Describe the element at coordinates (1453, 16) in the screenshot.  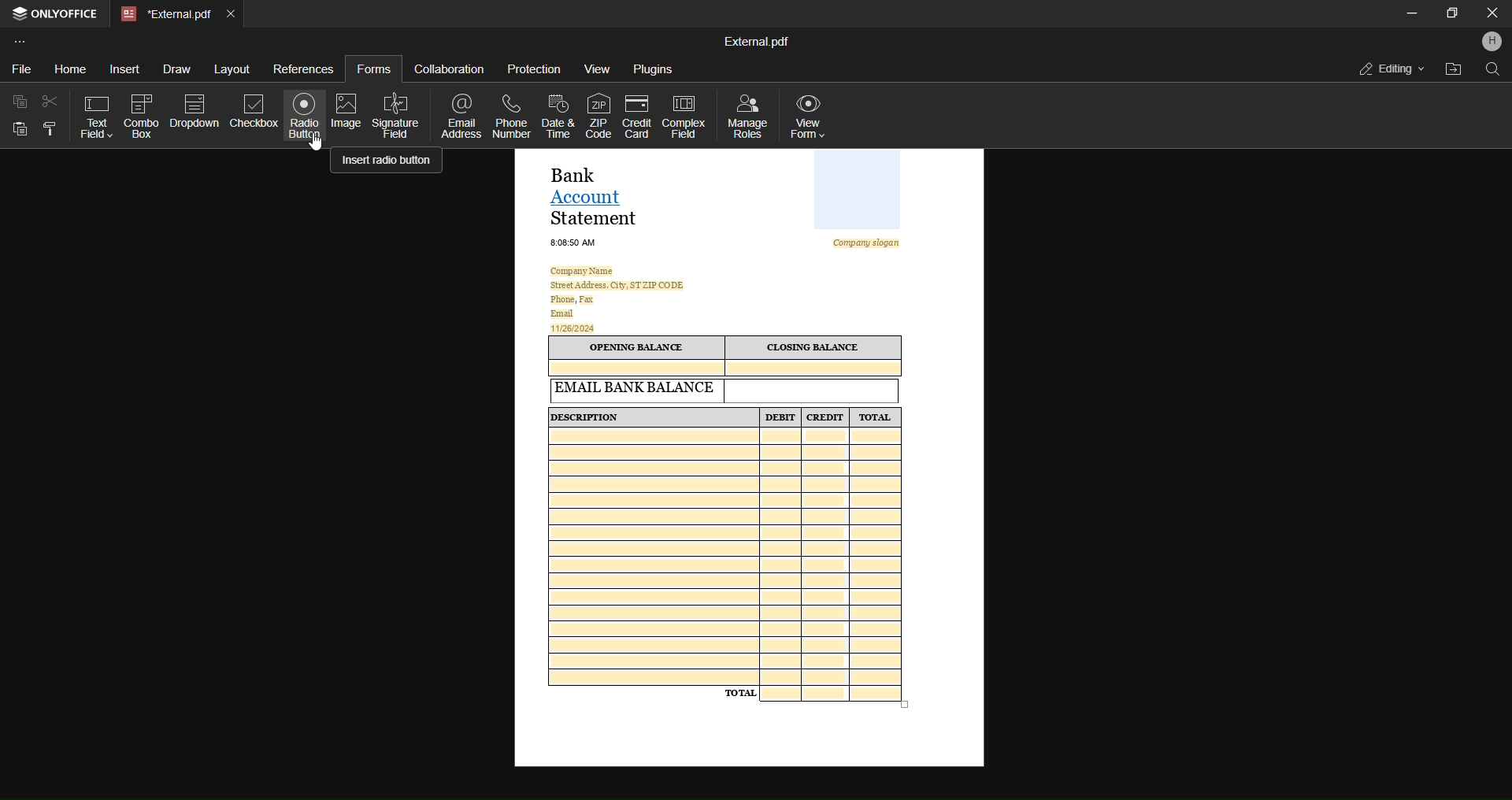
I see `maximize` at that location.